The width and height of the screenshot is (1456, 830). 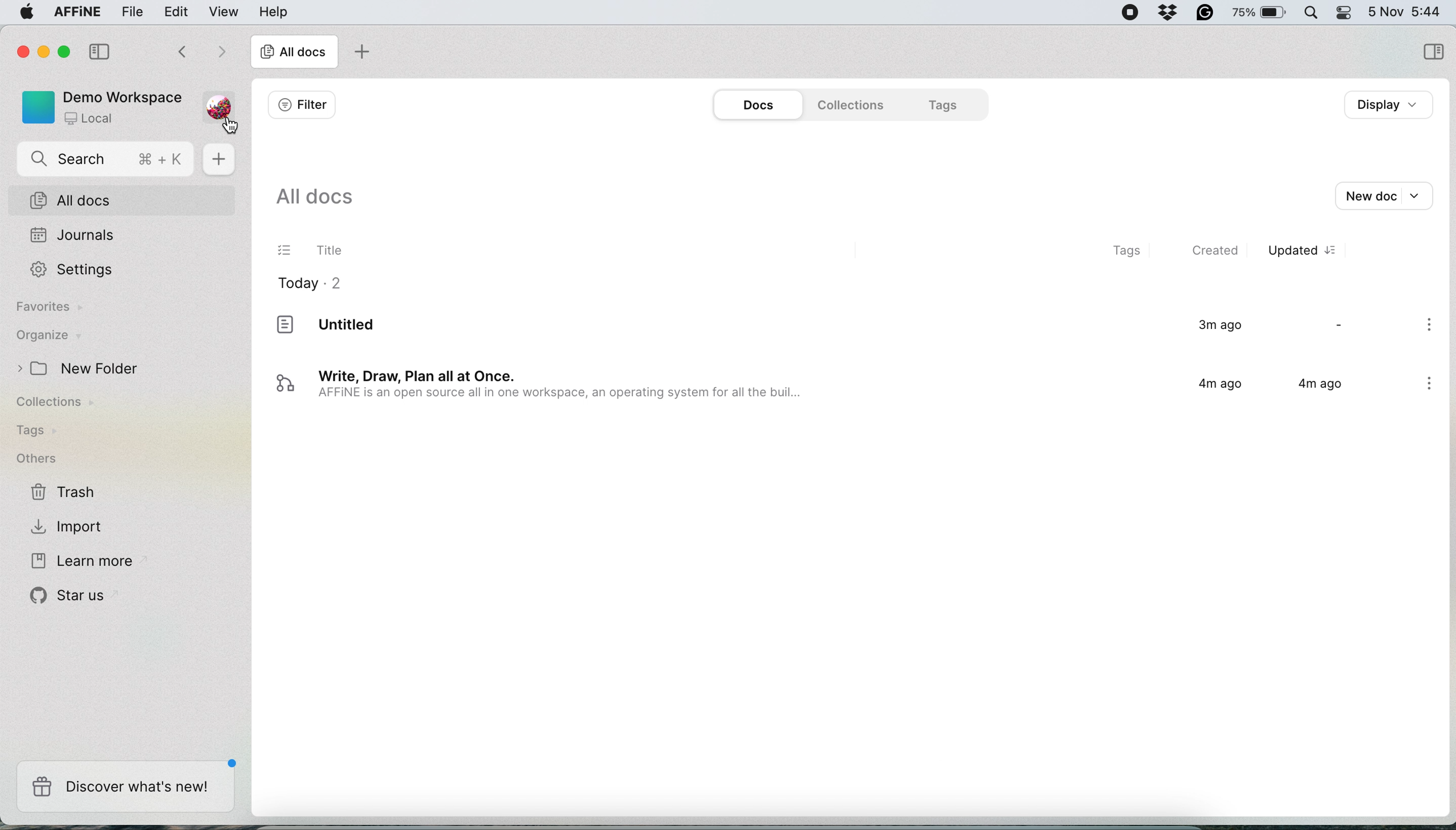 I want to click on selections, so click(x=1433, y=53).